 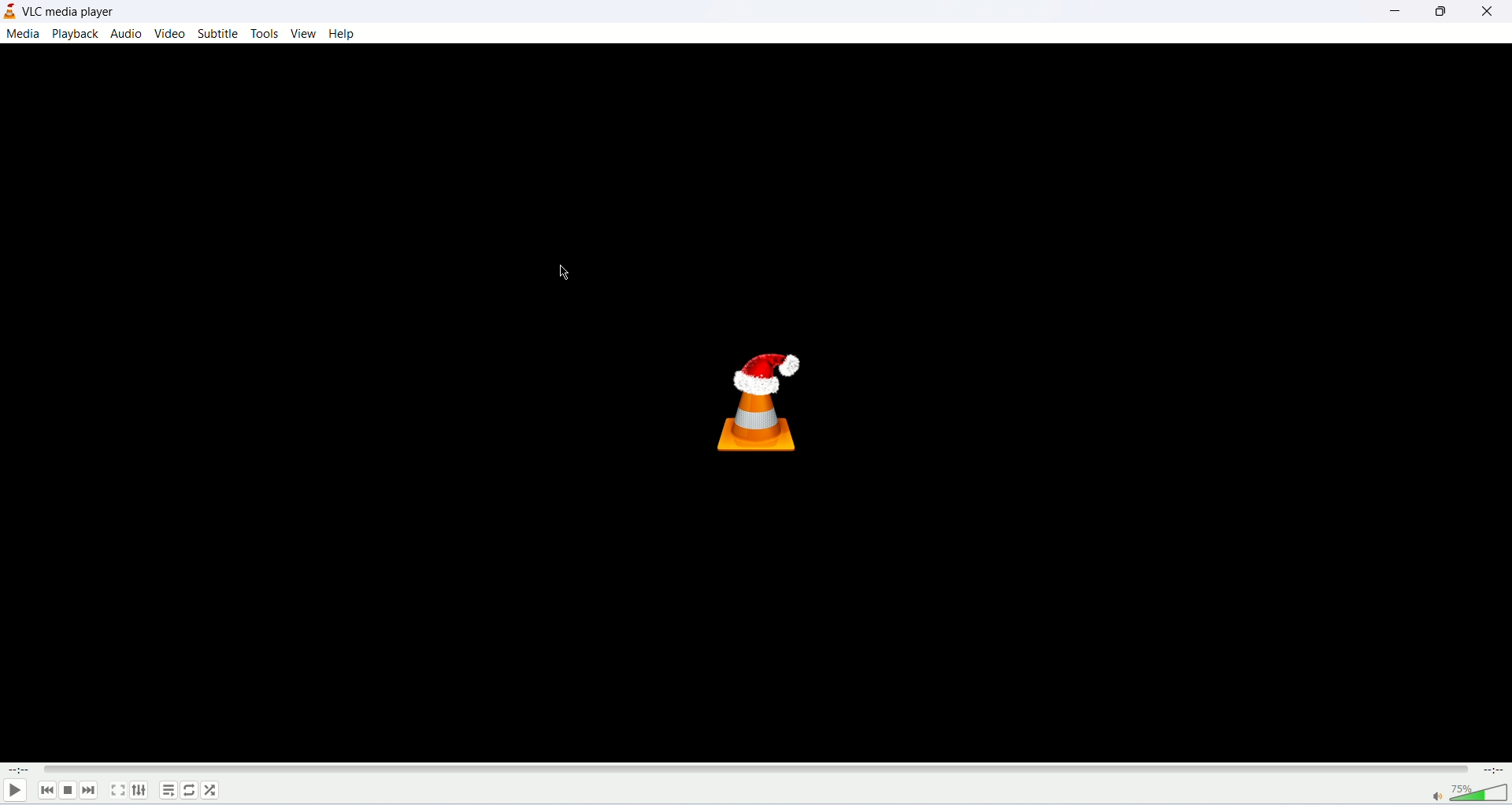 What do you see at coordinates (212, 790) in the screenshot?
I see `shuffle` at bounding box center [212, 790].